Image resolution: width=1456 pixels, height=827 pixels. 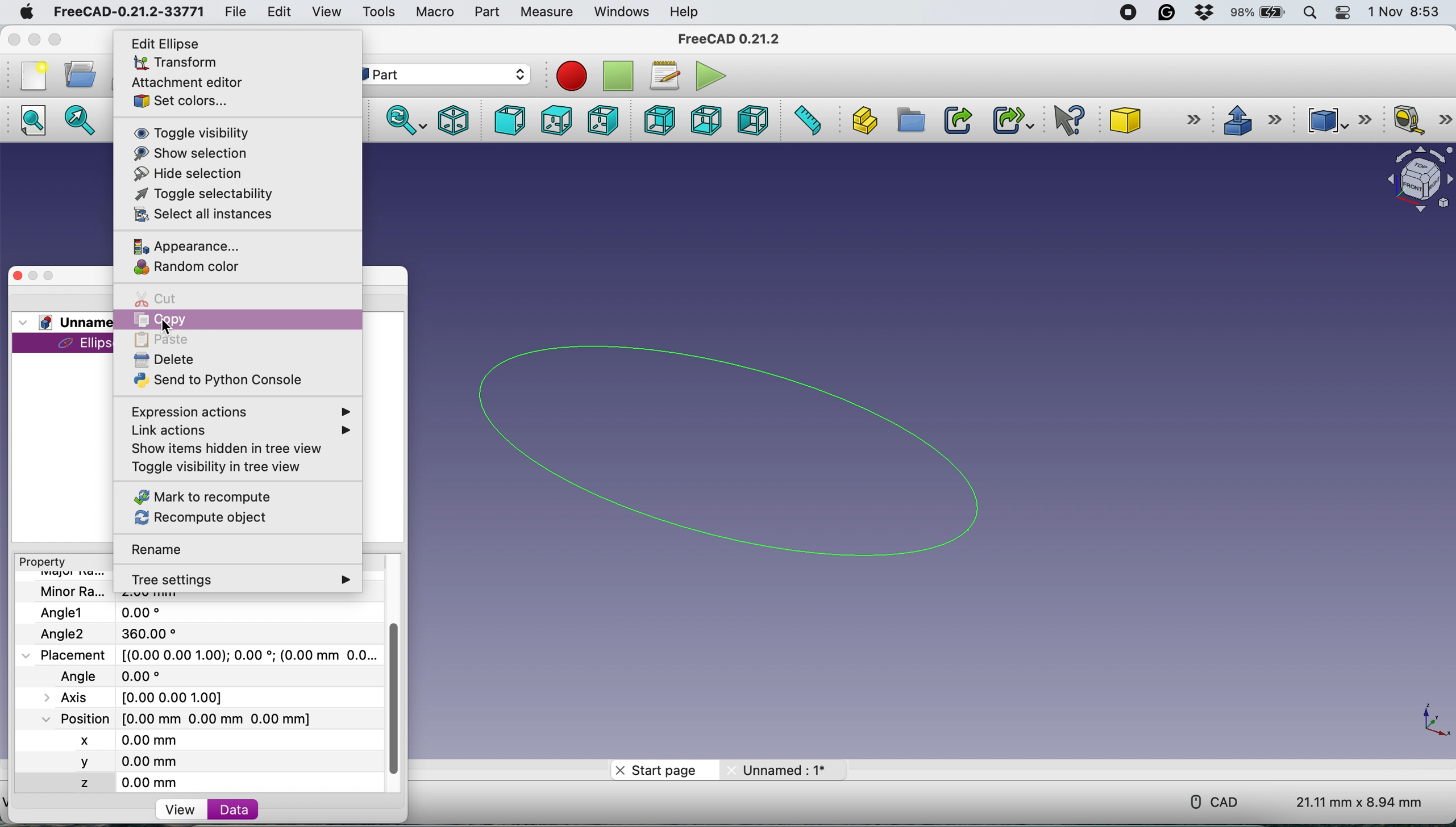 What do you see at coordinates (210, 655) in the screenshot?
I see `placement` at bounding box center [210, 655].